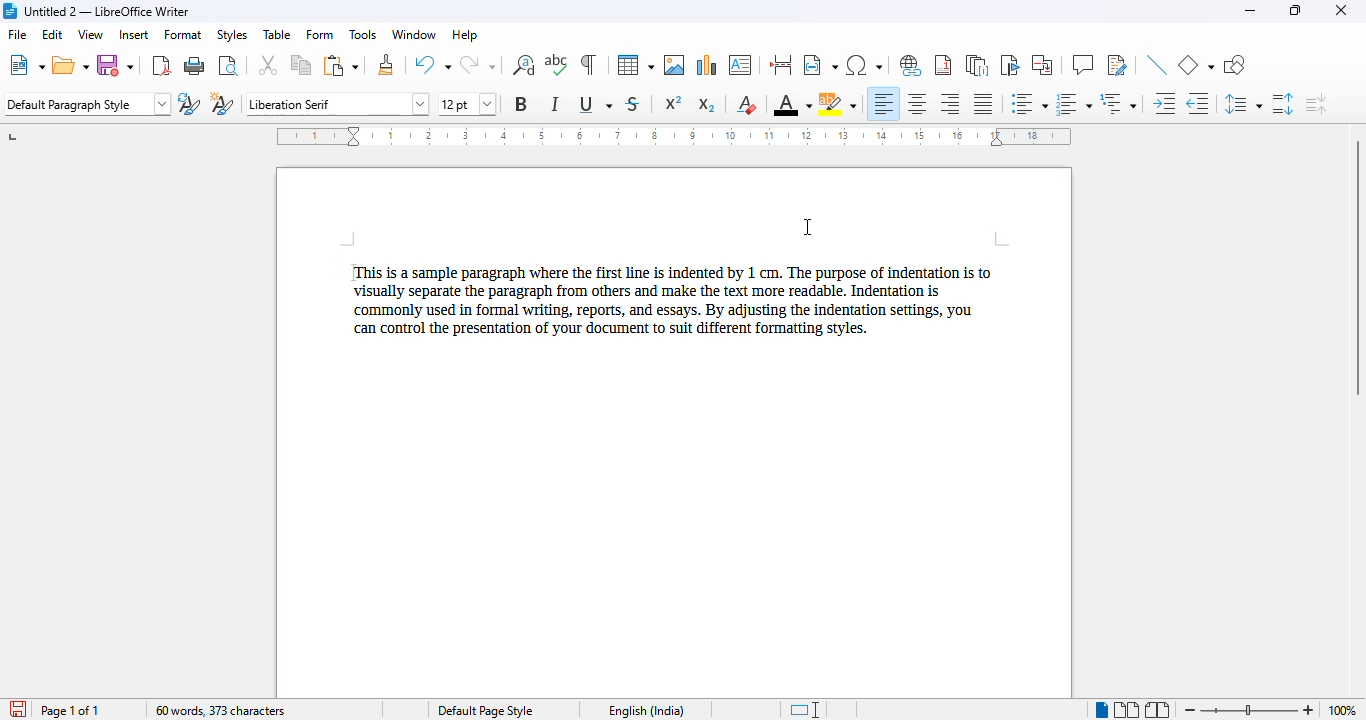 The height and width of the screenshot is (720, 1366). Describe the element at coordinates (1156, 710) in the screenshot. I see `book view` at that location.